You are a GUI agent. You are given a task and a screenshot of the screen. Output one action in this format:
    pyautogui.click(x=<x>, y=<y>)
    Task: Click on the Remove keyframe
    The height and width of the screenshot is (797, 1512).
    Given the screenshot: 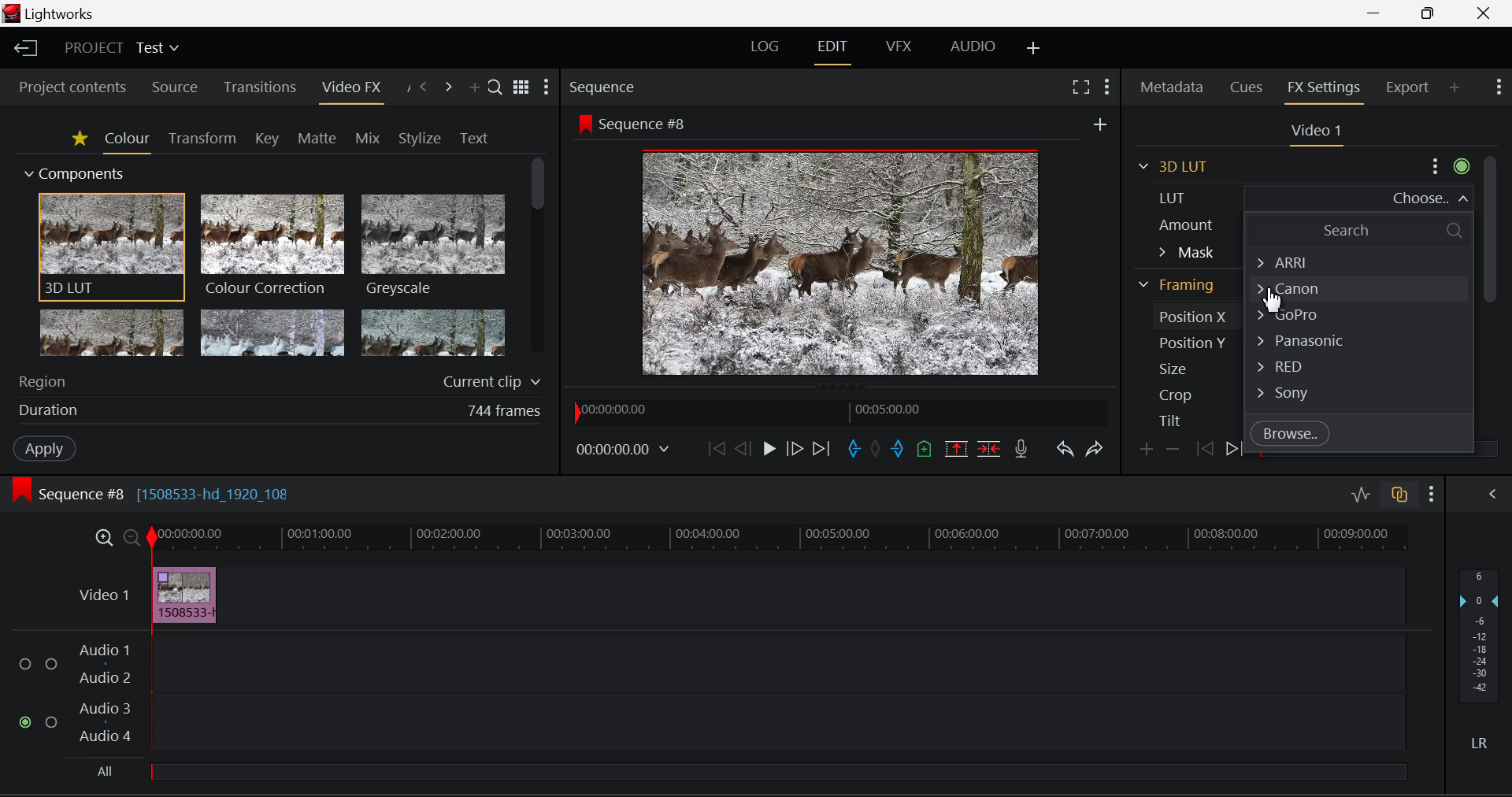 What is the action you would take?
    pyautogui.click(x=1173, y=452)
    